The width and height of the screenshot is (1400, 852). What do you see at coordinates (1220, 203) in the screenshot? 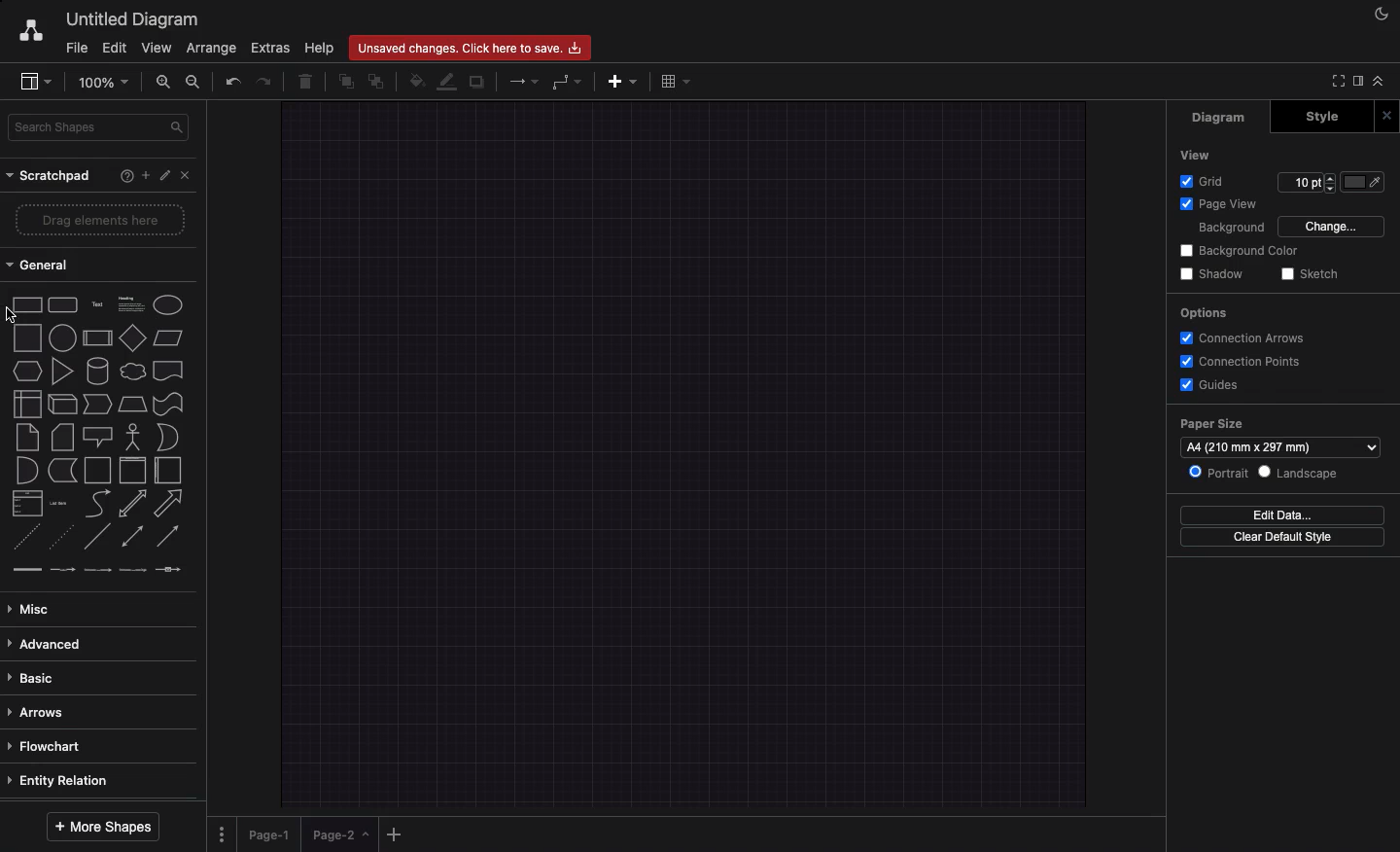
I see `Page view` at bounding box center [1220, 203].